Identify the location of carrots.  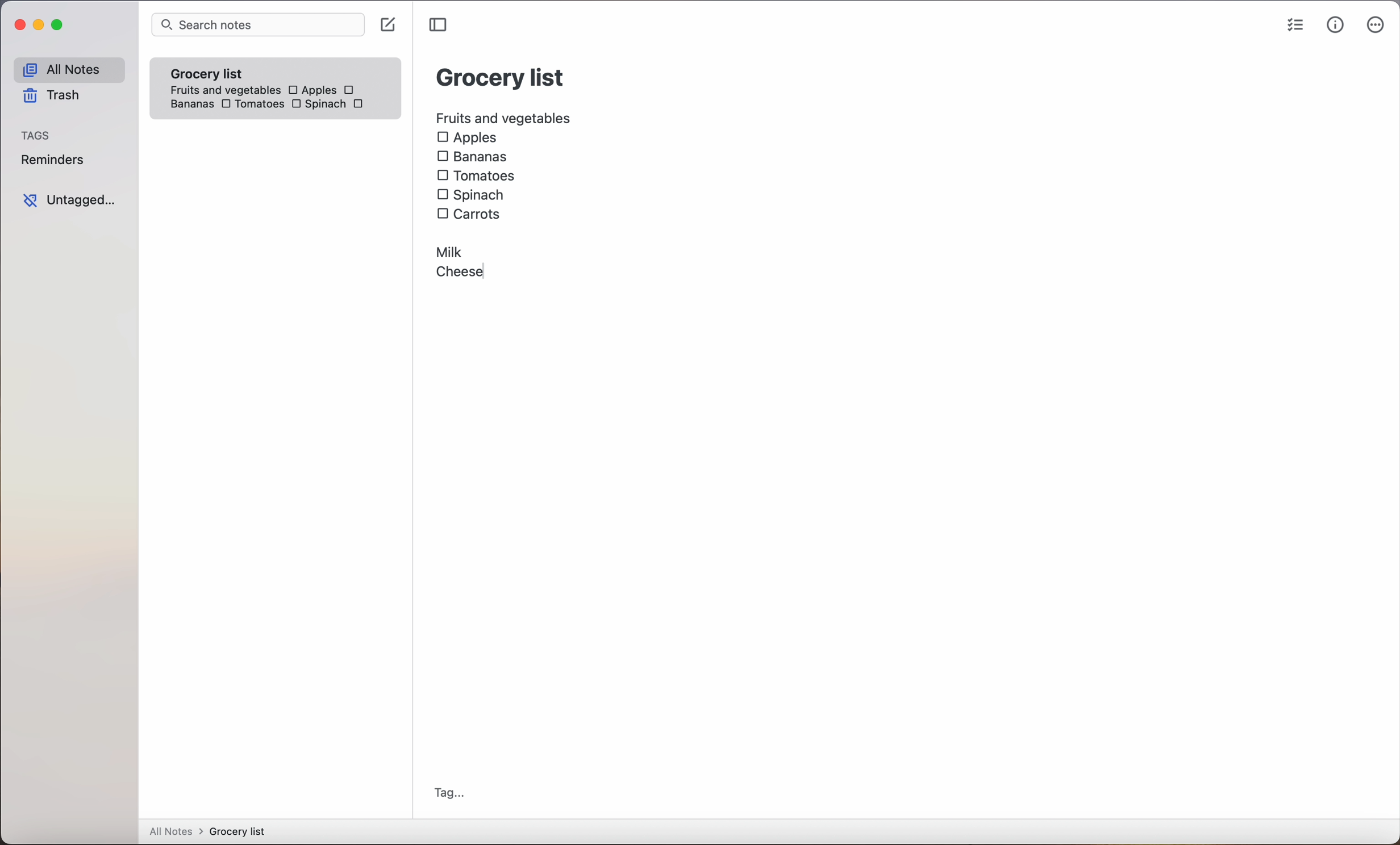
(361, 104).